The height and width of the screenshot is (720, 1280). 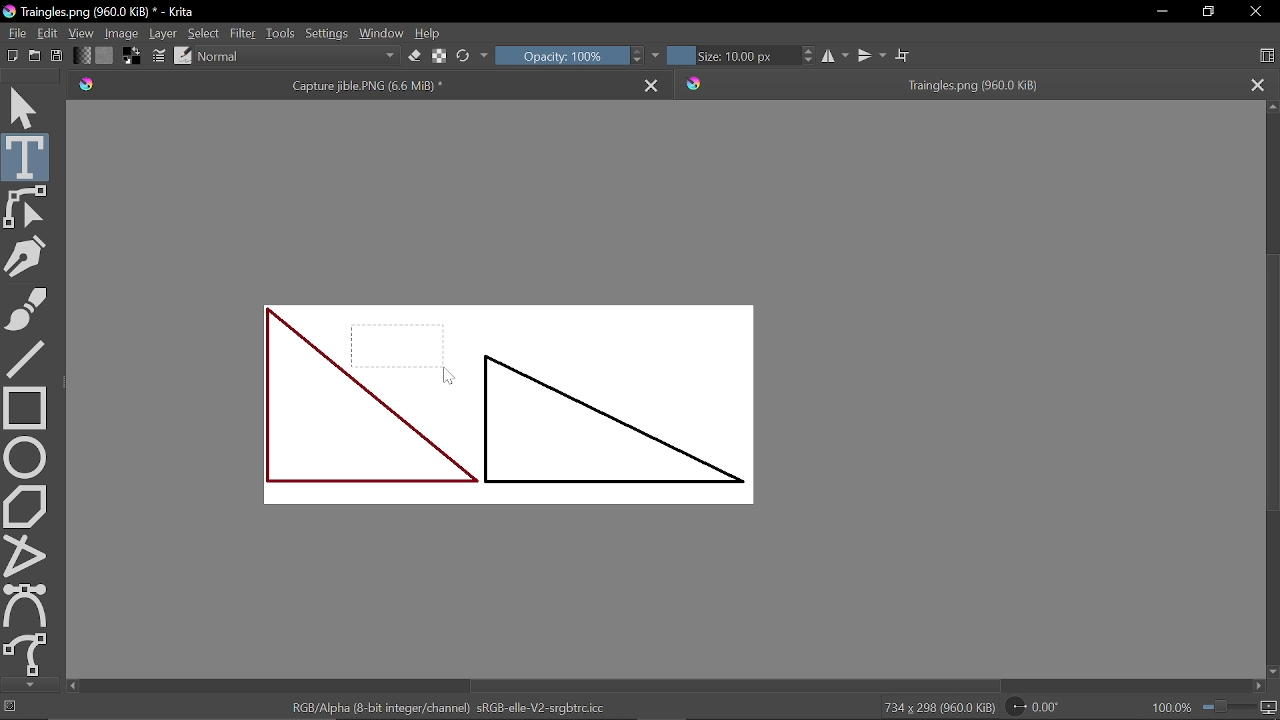 What do you see at coordinates (8, 708) in the screenshot?
I see `No selection` at bounding box center [8, 708].